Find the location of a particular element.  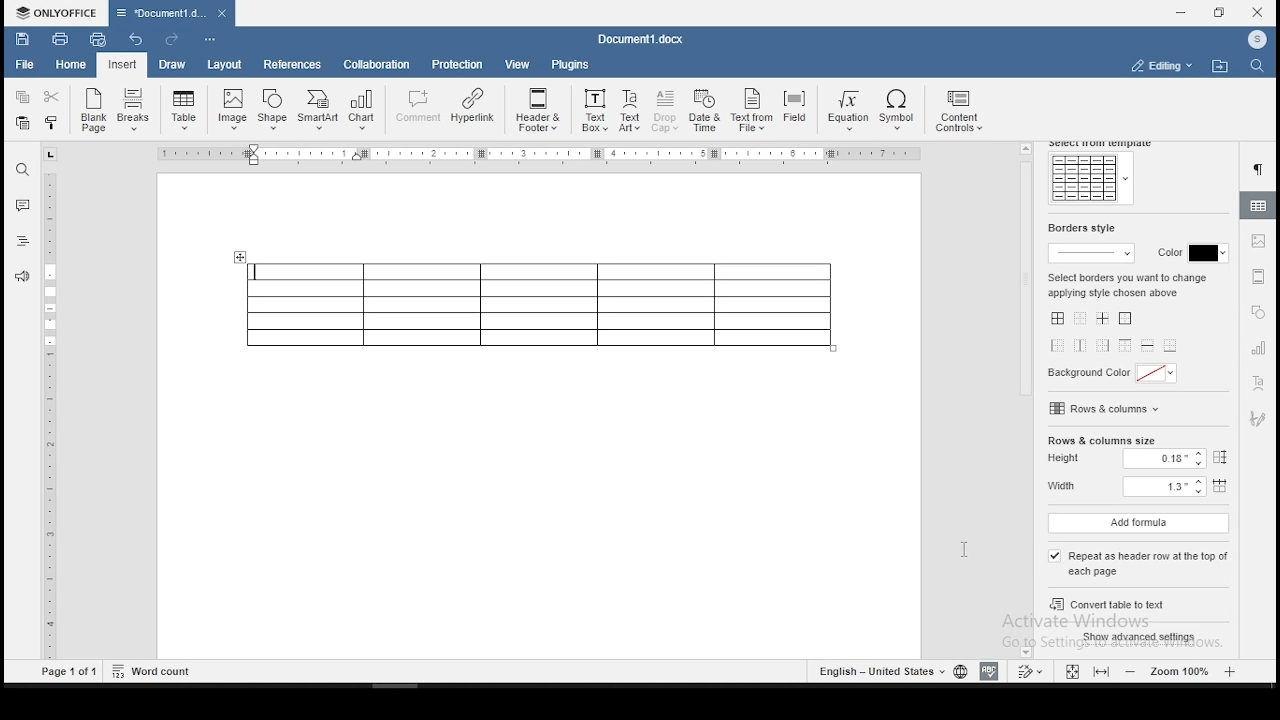

languages is located at coordinates (889, 670).